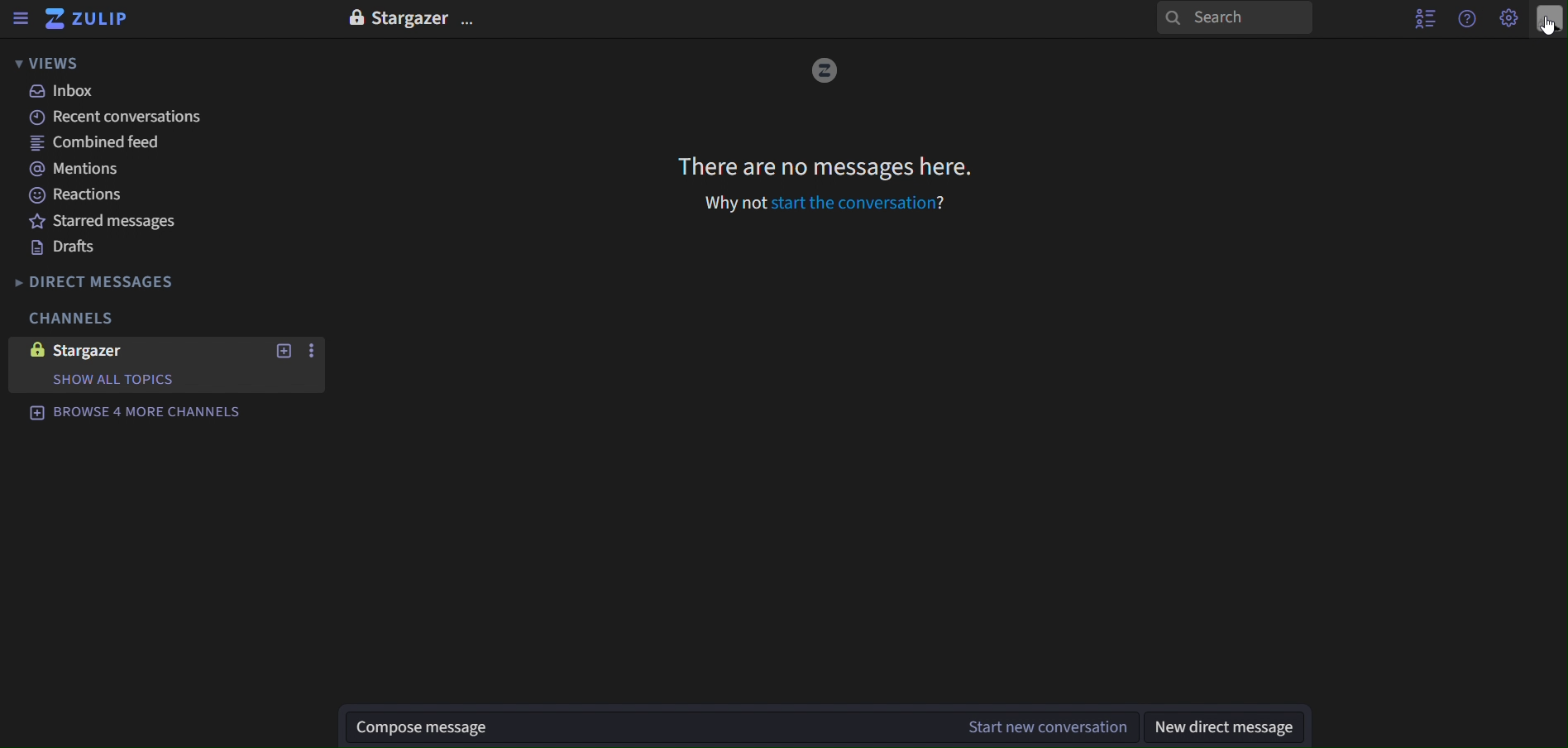 This screenshot has width=1568, height=748. I want to click on hide user list, so click(1420, 19).